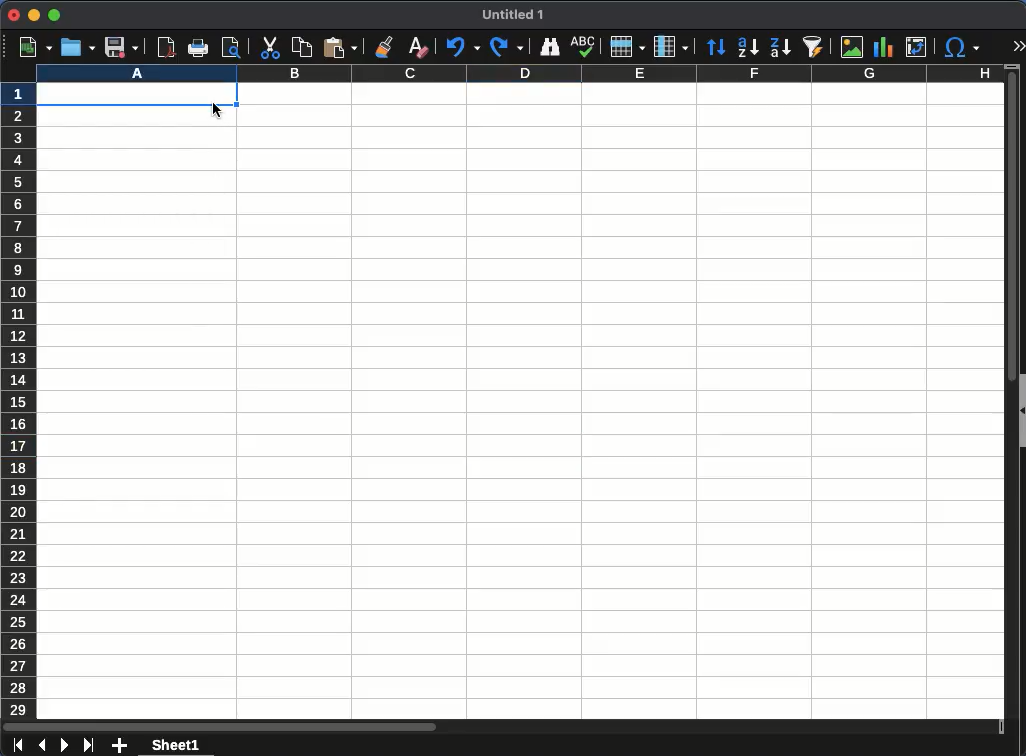 Image resolution: width=1026 pixels, height=756 pixels. What do you see at coordinates (1020, 412) in the screenshot?
I see `collapse` at bounding box center [1020, 412].